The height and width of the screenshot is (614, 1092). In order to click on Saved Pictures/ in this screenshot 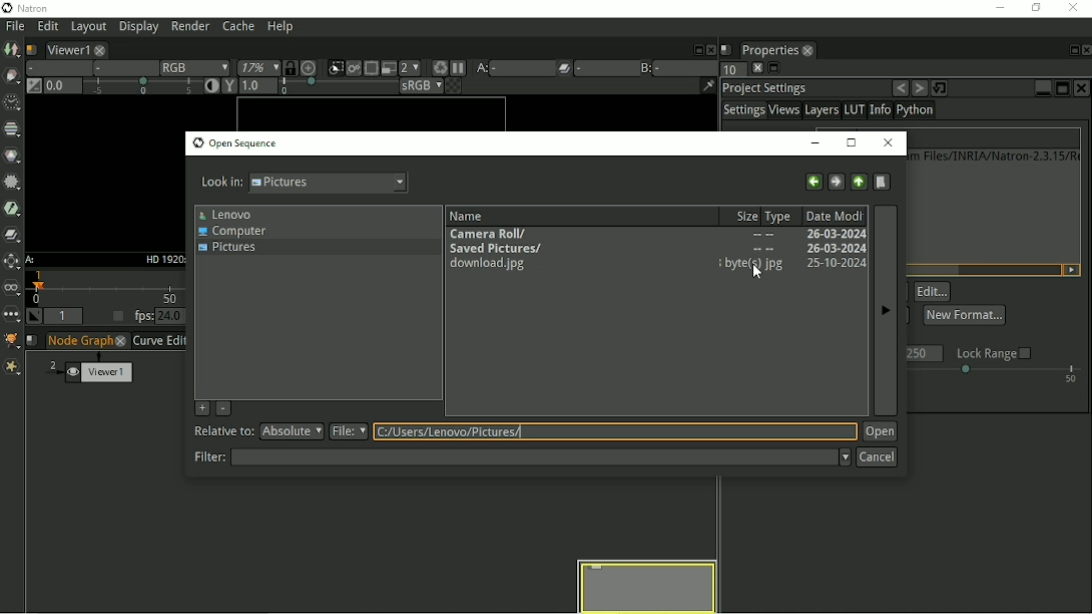, I will do `click(496, 247)`.